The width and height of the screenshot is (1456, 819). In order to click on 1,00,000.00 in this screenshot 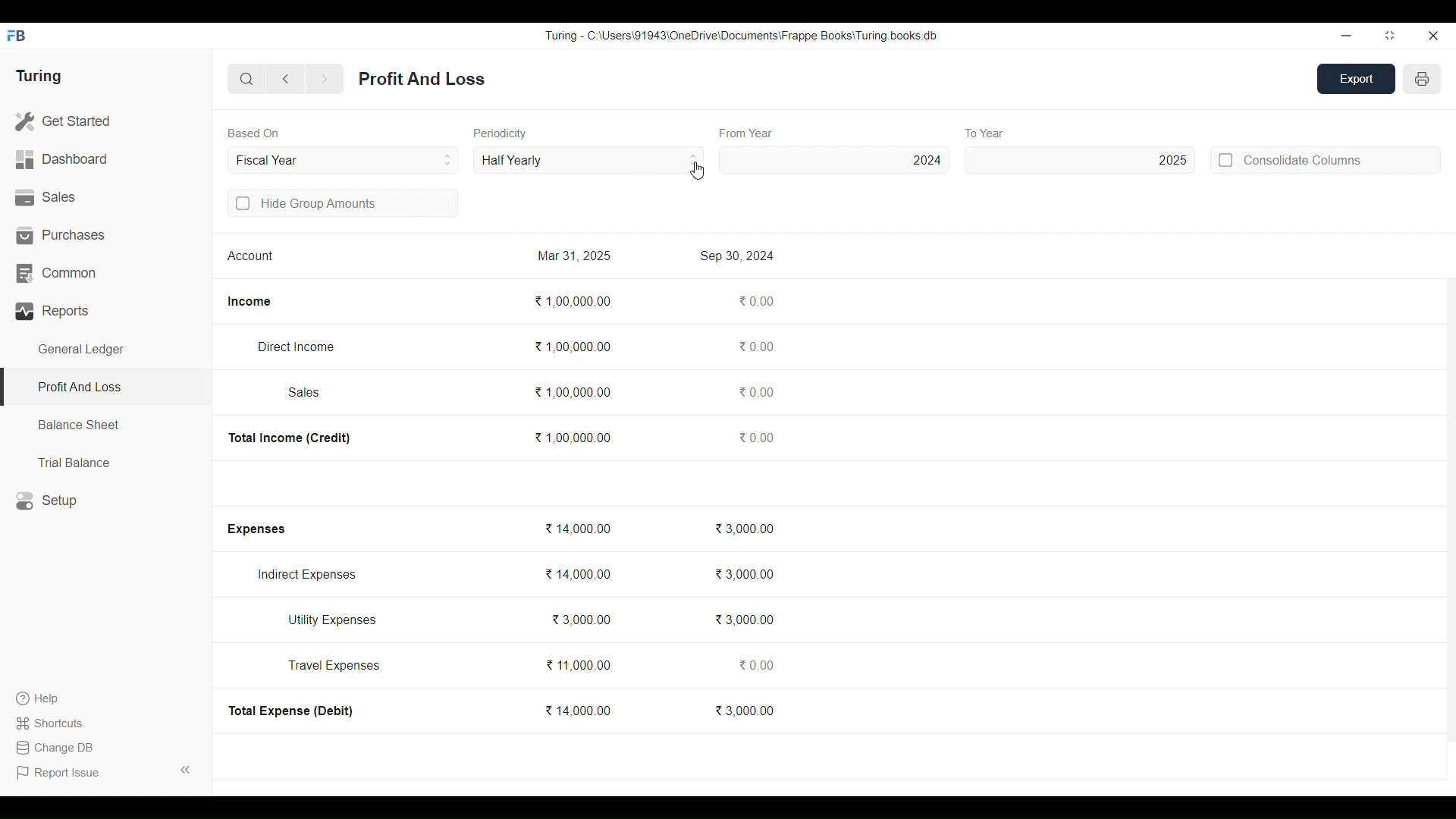, I will do `click(572, 438)`.